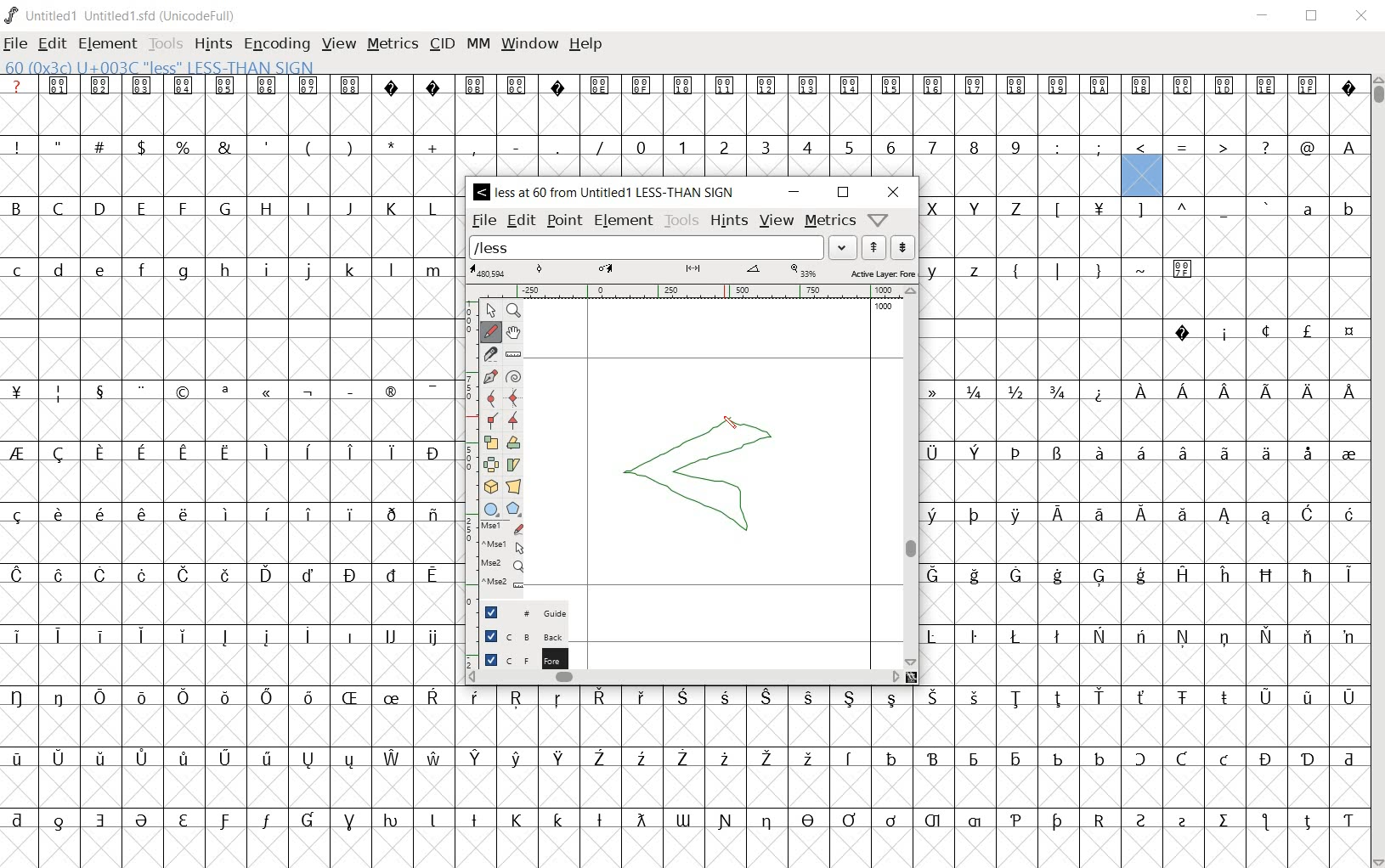 The image size is (1385, 868). I want to click on rectangle or ellipse, so click(494, 509).